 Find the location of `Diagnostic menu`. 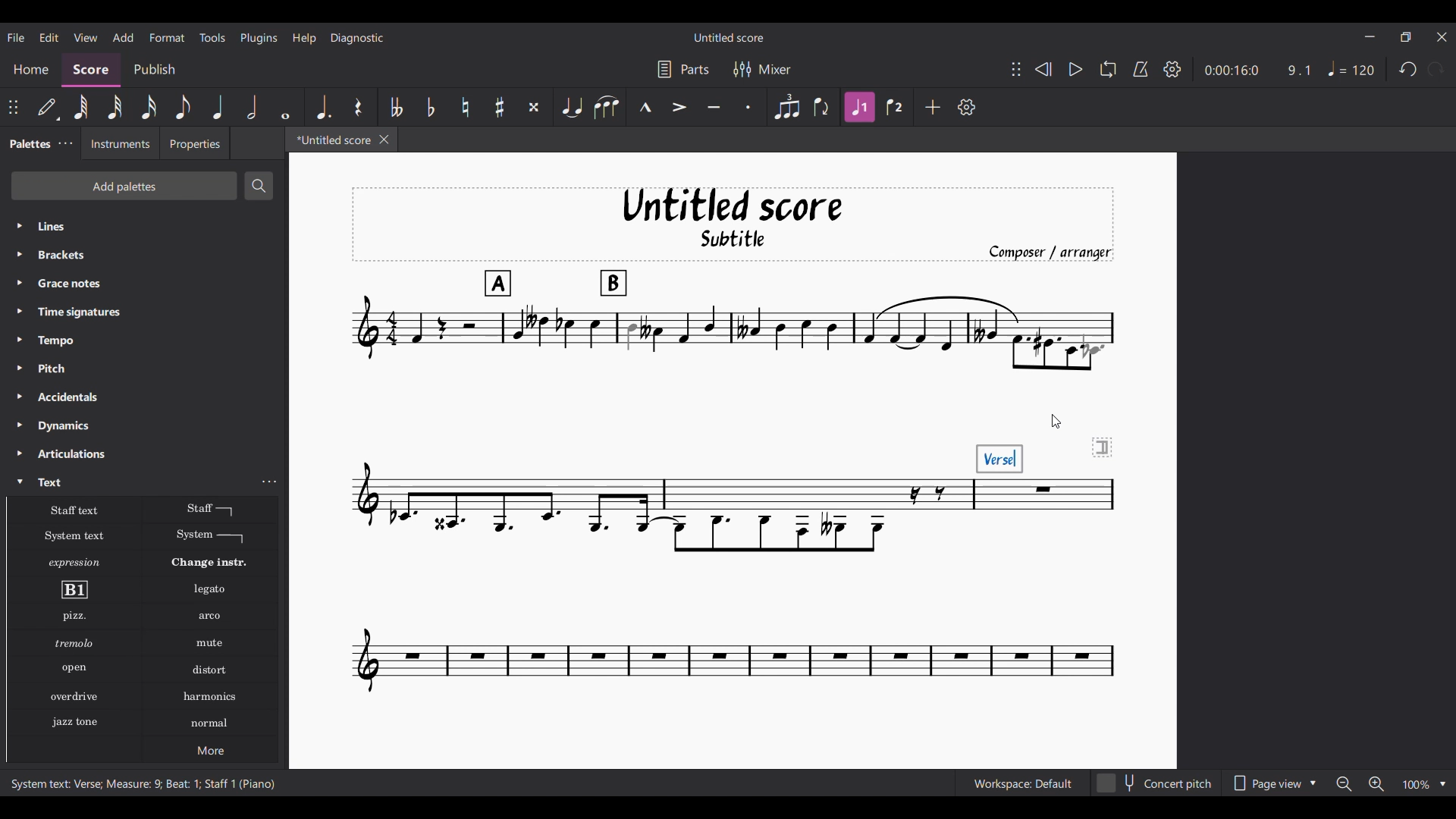

Diagnostic menu is located at coordinates (358, 38).